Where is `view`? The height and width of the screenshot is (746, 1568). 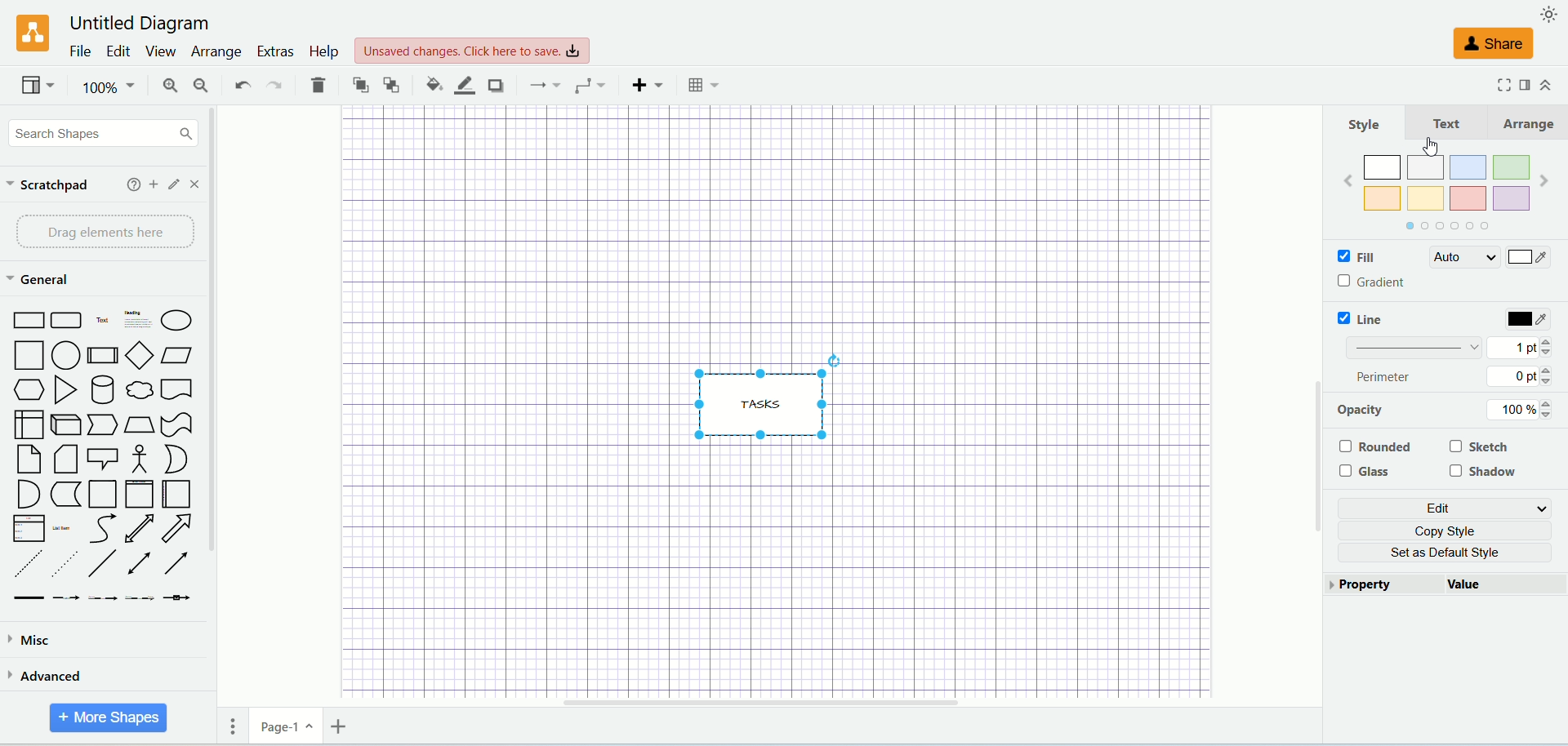
view is located at coordinates (36, 85).